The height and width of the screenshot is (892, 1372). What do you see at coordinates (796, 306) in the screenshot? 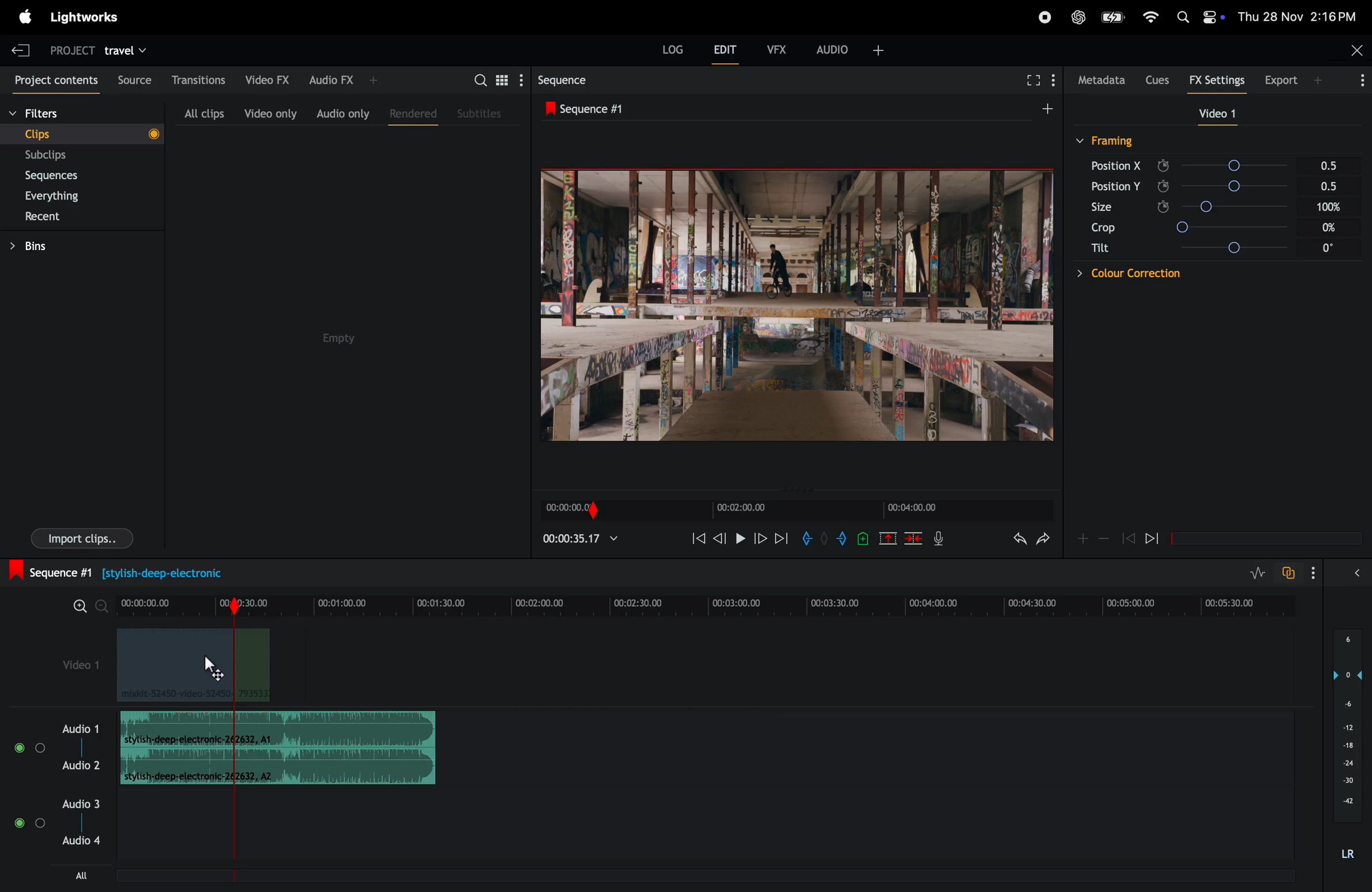
I see `output video` at bounding box center [796, 306].